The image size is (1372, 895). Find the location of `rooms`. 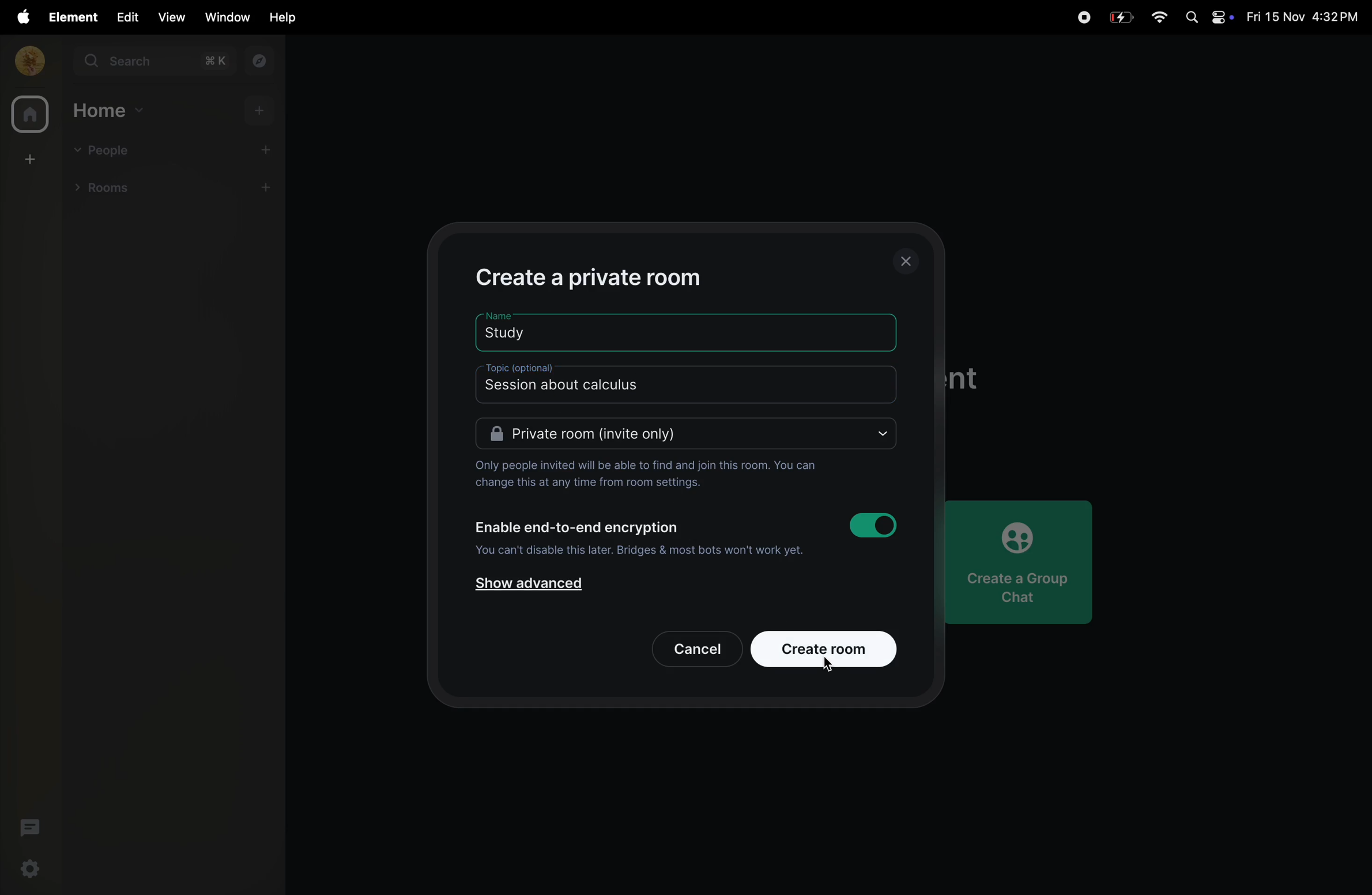

rooms is located at coordinates (114, 190).